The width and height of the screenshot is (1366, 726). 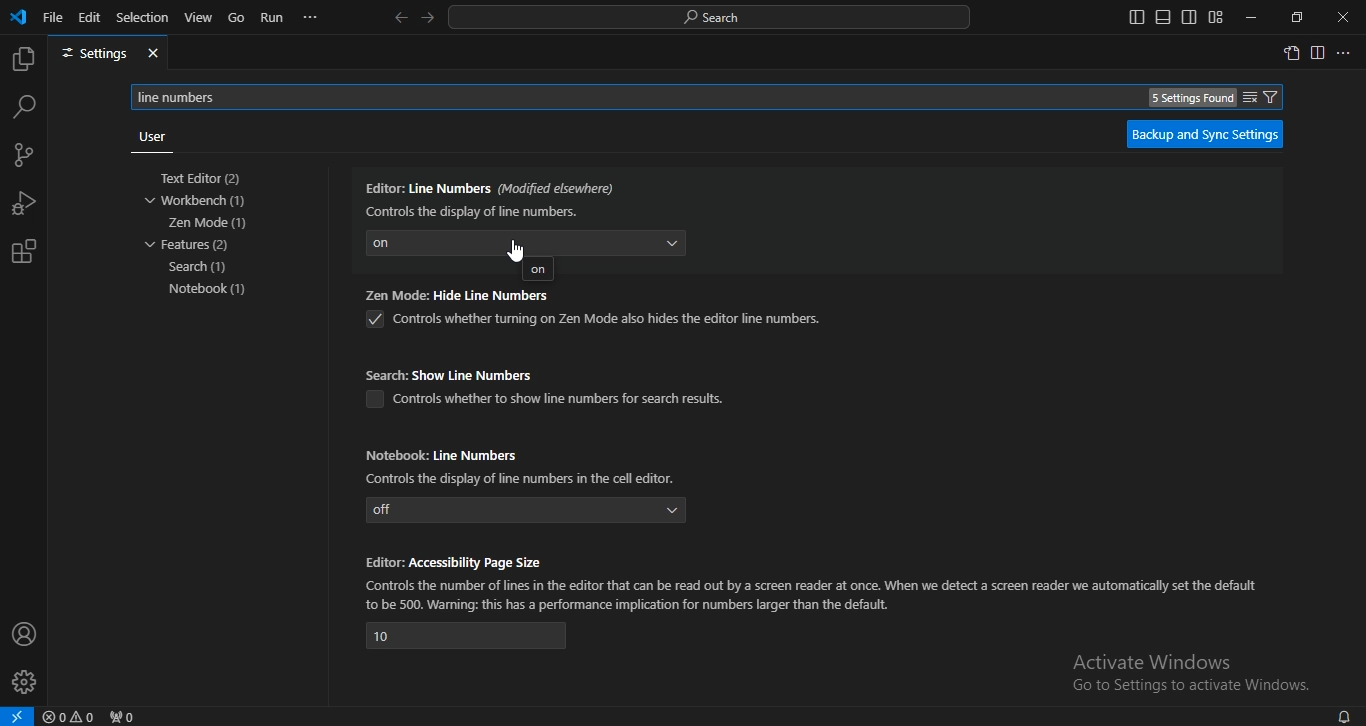 I want to click on extensions, so click(x=23, y=252).